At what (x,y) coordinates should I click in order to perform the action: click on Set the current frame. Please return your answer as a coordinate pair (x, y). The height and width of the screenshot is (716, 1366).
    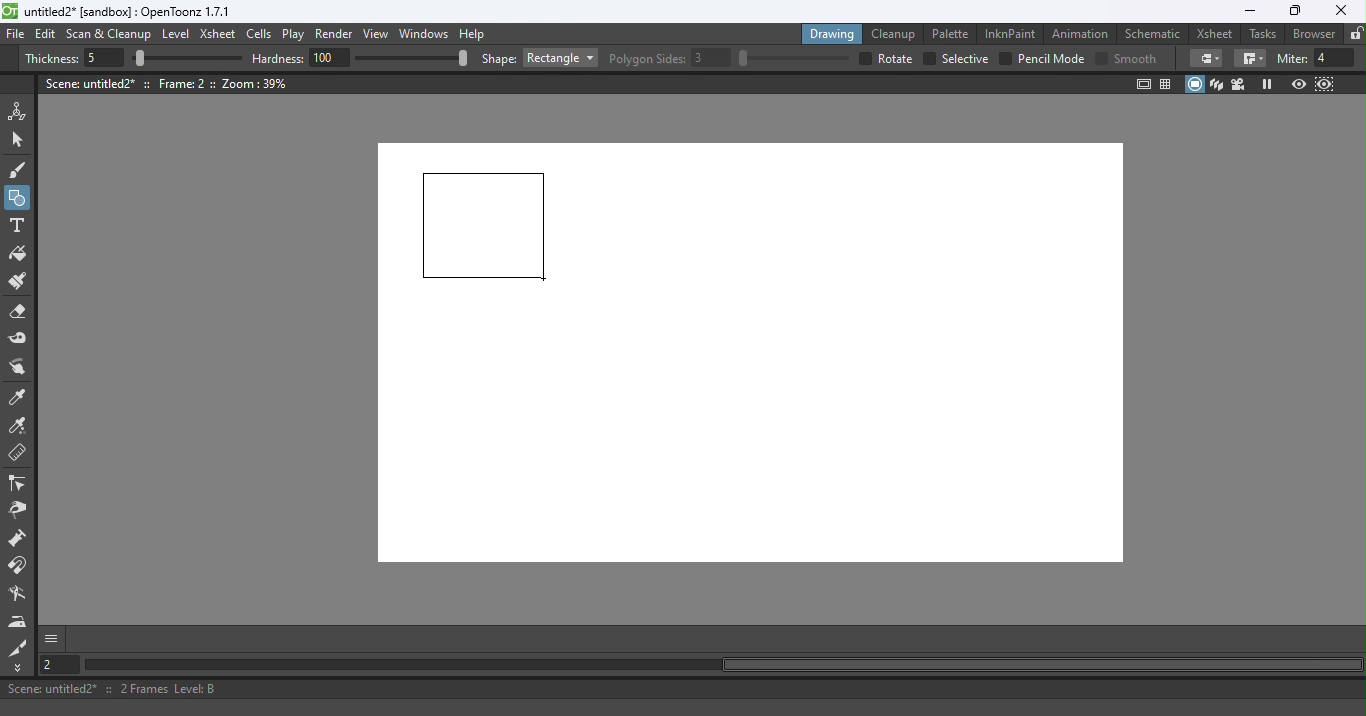
    Looking at the image, I should click on (57, 664).